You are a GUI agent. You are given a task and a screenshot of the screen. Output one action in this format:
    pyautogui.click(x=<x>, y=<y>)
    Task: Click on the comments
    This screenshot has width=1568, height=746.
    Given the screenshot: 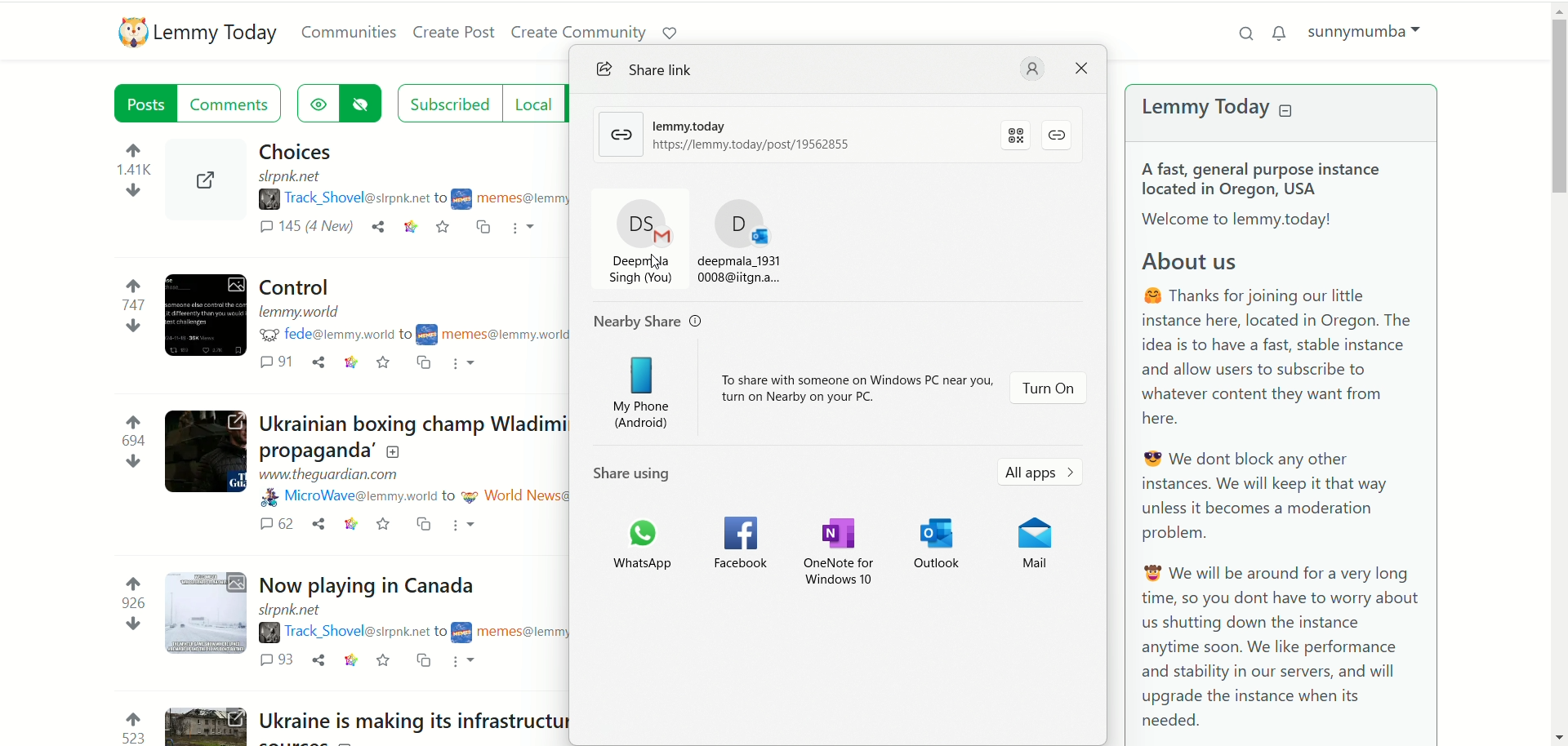 What is the action you would take?
    pyautogui.click(x=234, y=102)
    